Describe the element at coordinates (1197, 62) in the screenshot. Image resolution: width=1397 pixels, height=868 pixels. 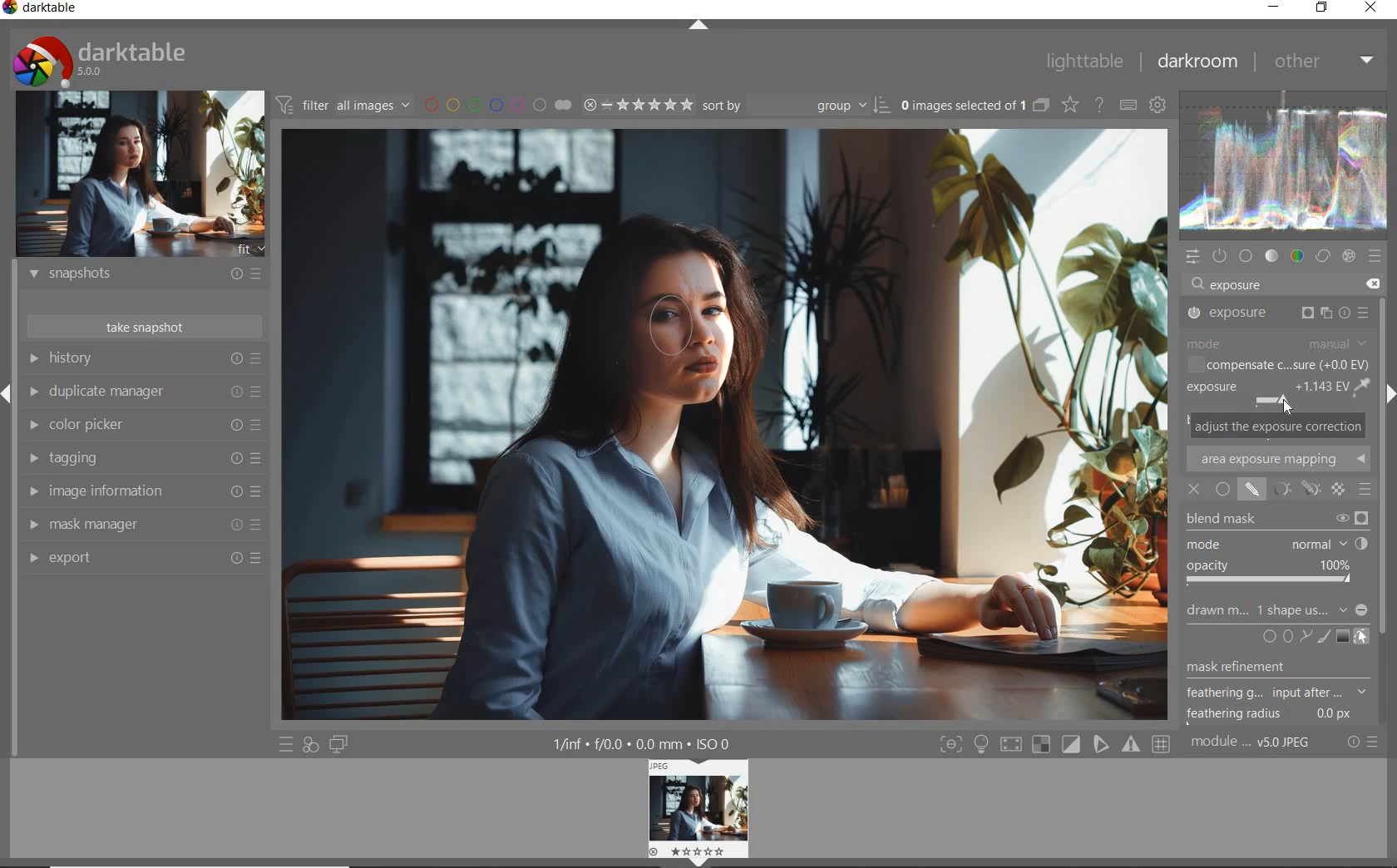
I see `darkroom` at that location.